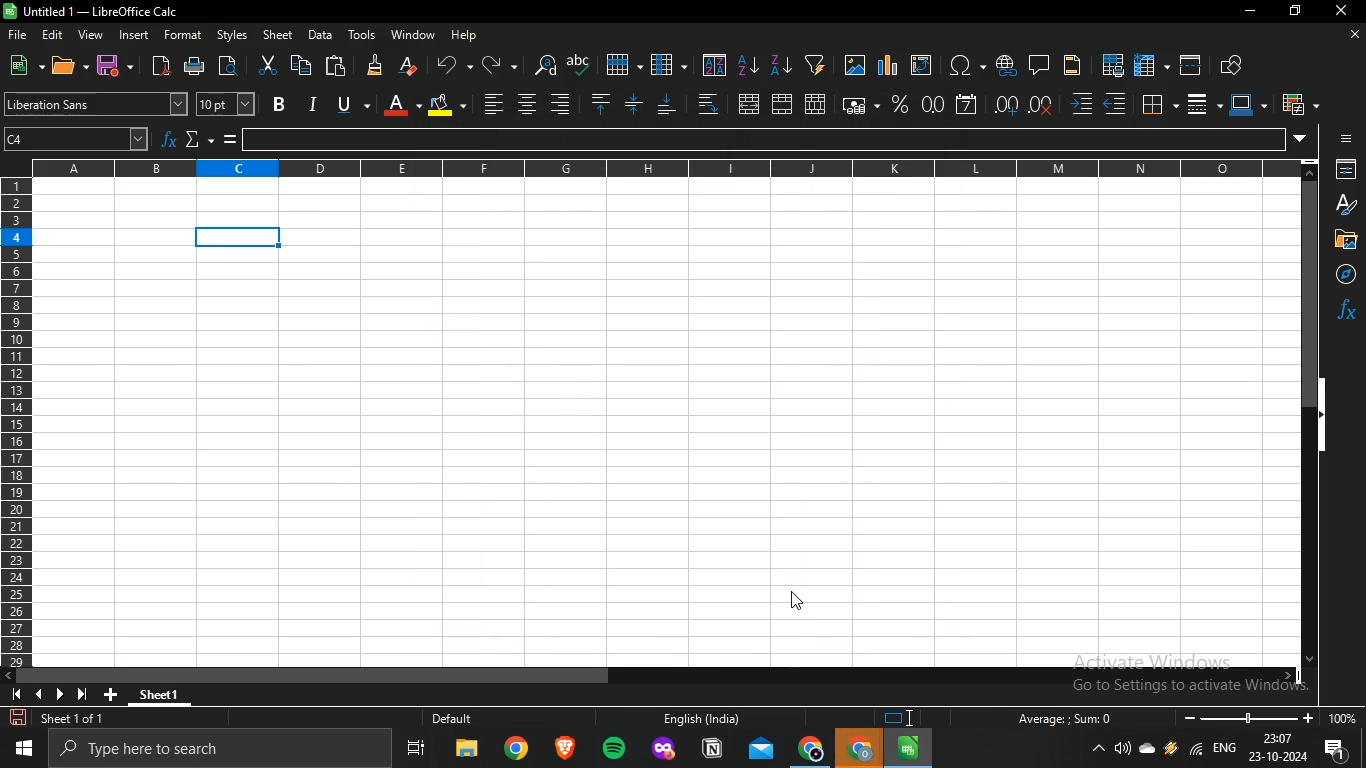  I want to click on underline, so click(344, 102).